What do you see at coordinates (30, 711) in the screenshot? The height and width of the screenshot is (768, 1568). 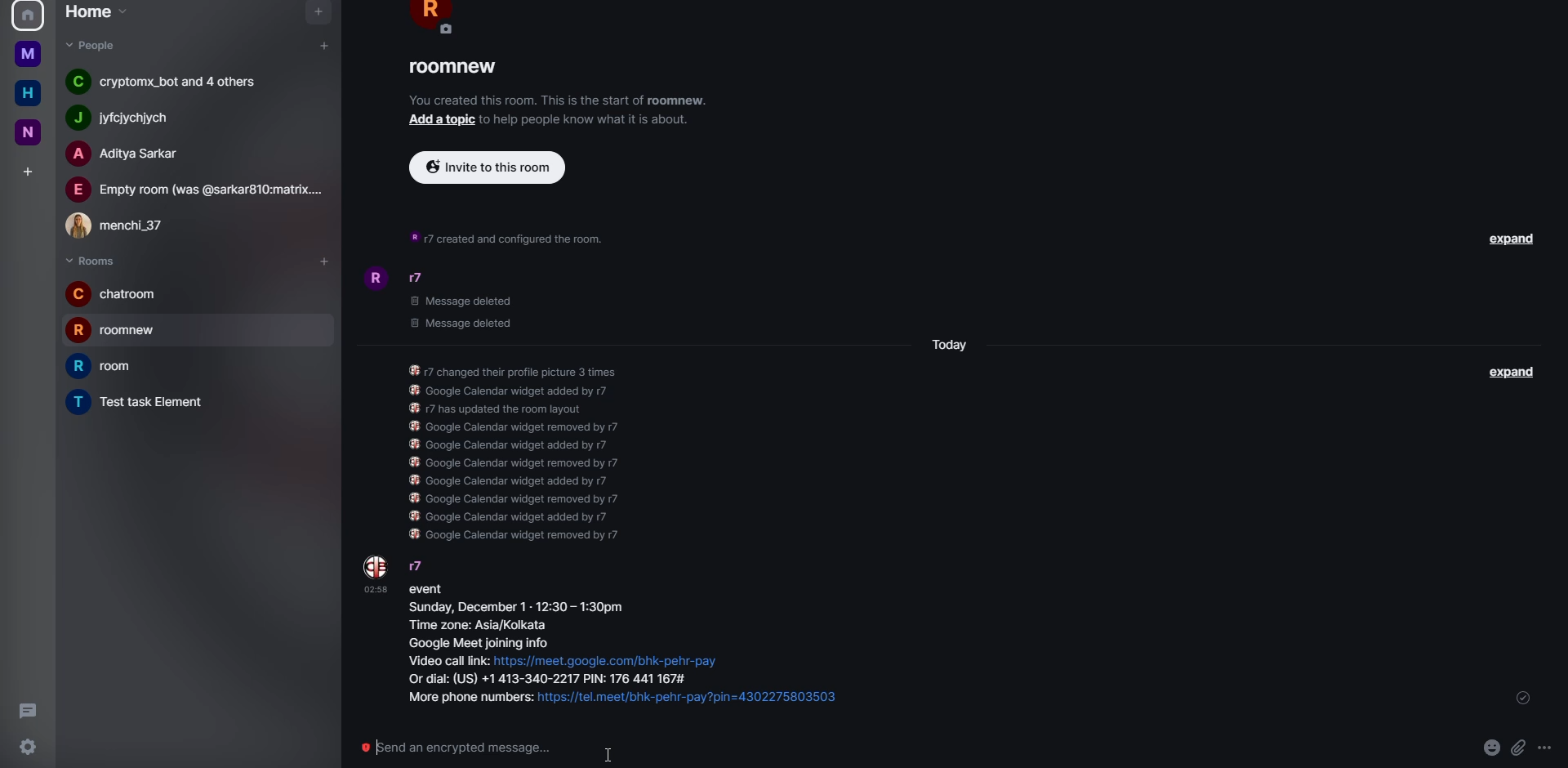 I see `threads` at bounding box center [30, 711].